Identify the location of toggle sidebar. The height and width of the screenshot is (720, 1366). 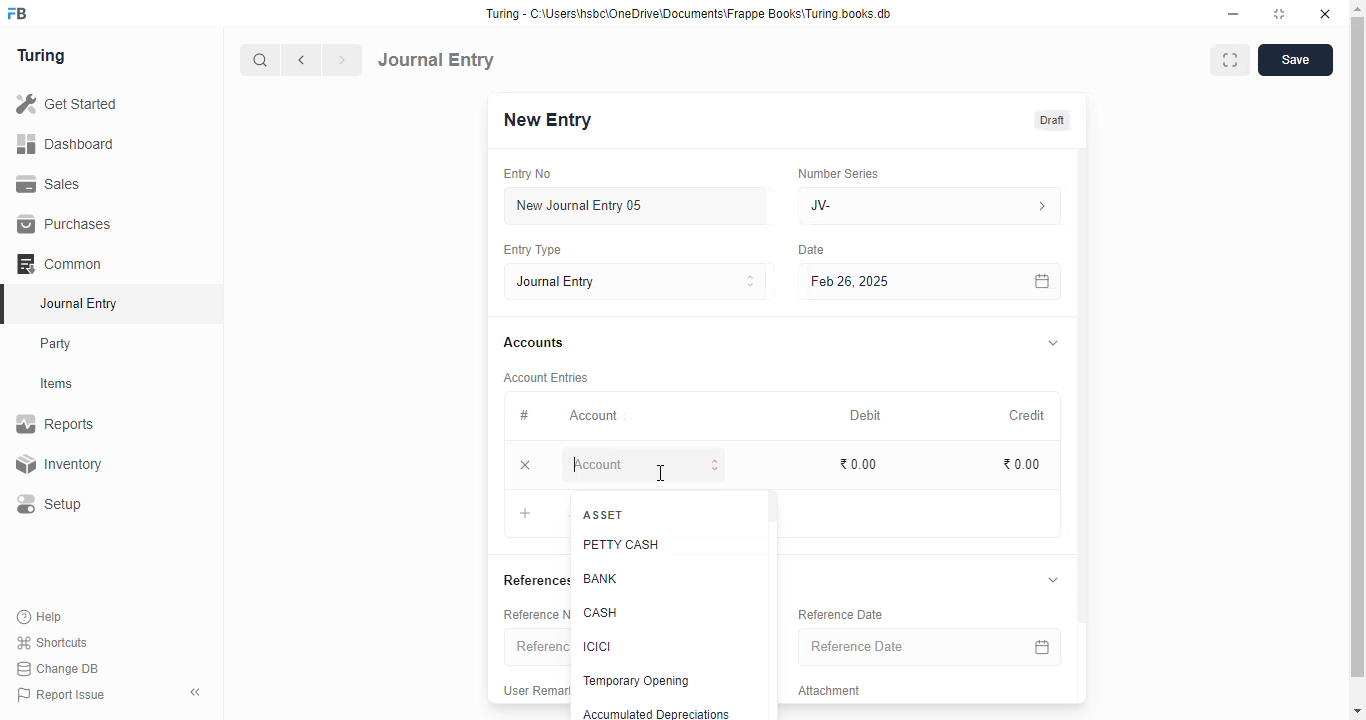
(197, 692).